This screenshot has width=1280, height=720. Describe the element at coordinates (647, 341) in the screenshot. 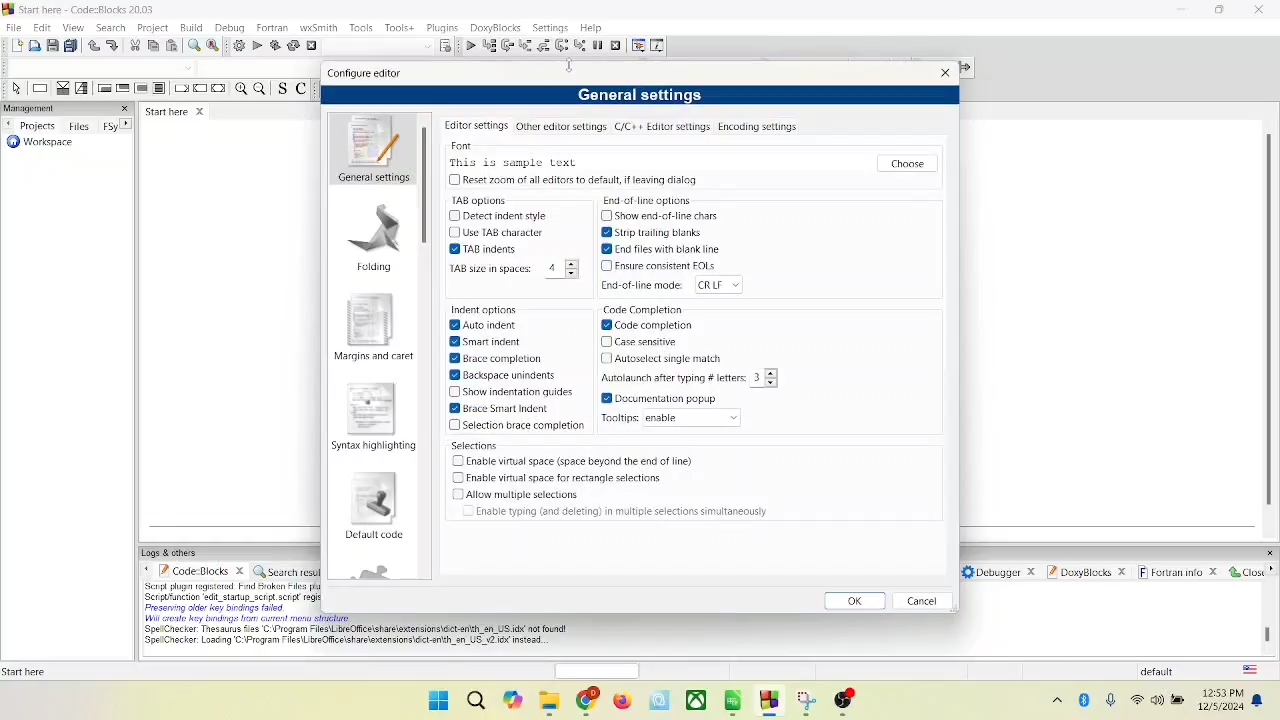

I see `case-sensitive` at that location.